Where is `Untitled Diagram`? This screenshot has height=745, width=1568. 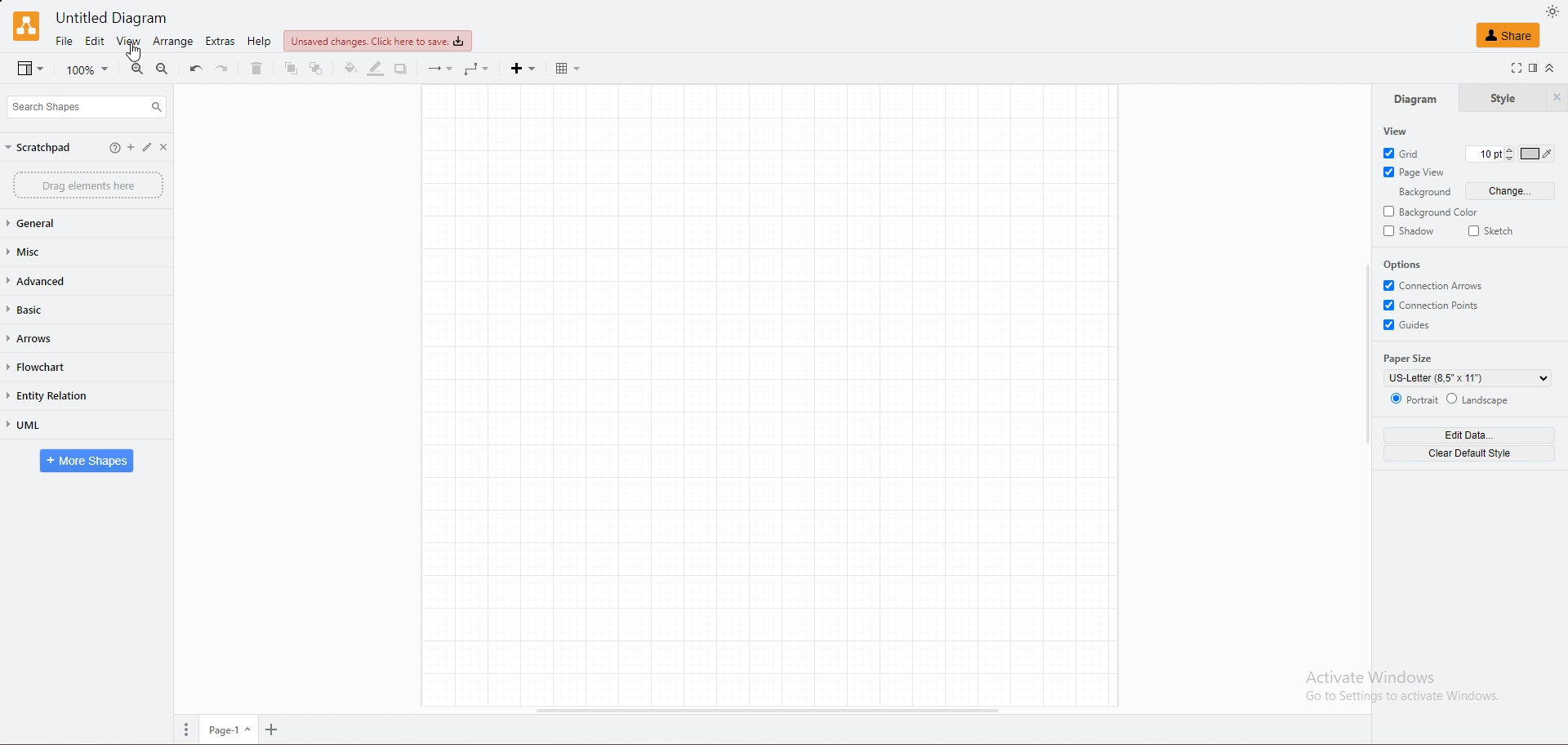 Untitled Diagram is located at coordinates (118, 17).